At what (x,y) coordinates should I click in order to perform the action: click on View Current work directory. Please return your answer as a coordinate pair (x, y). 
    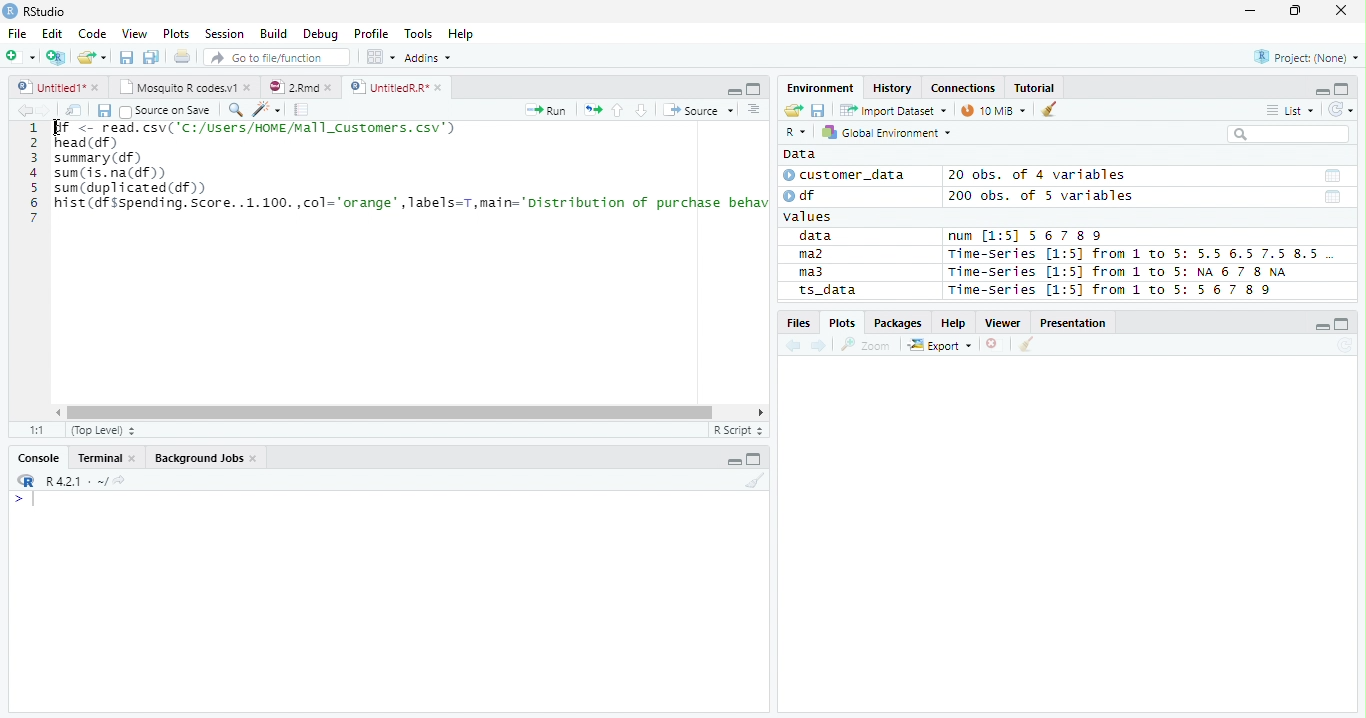
    Looking at the image, I should click on (121, 480).